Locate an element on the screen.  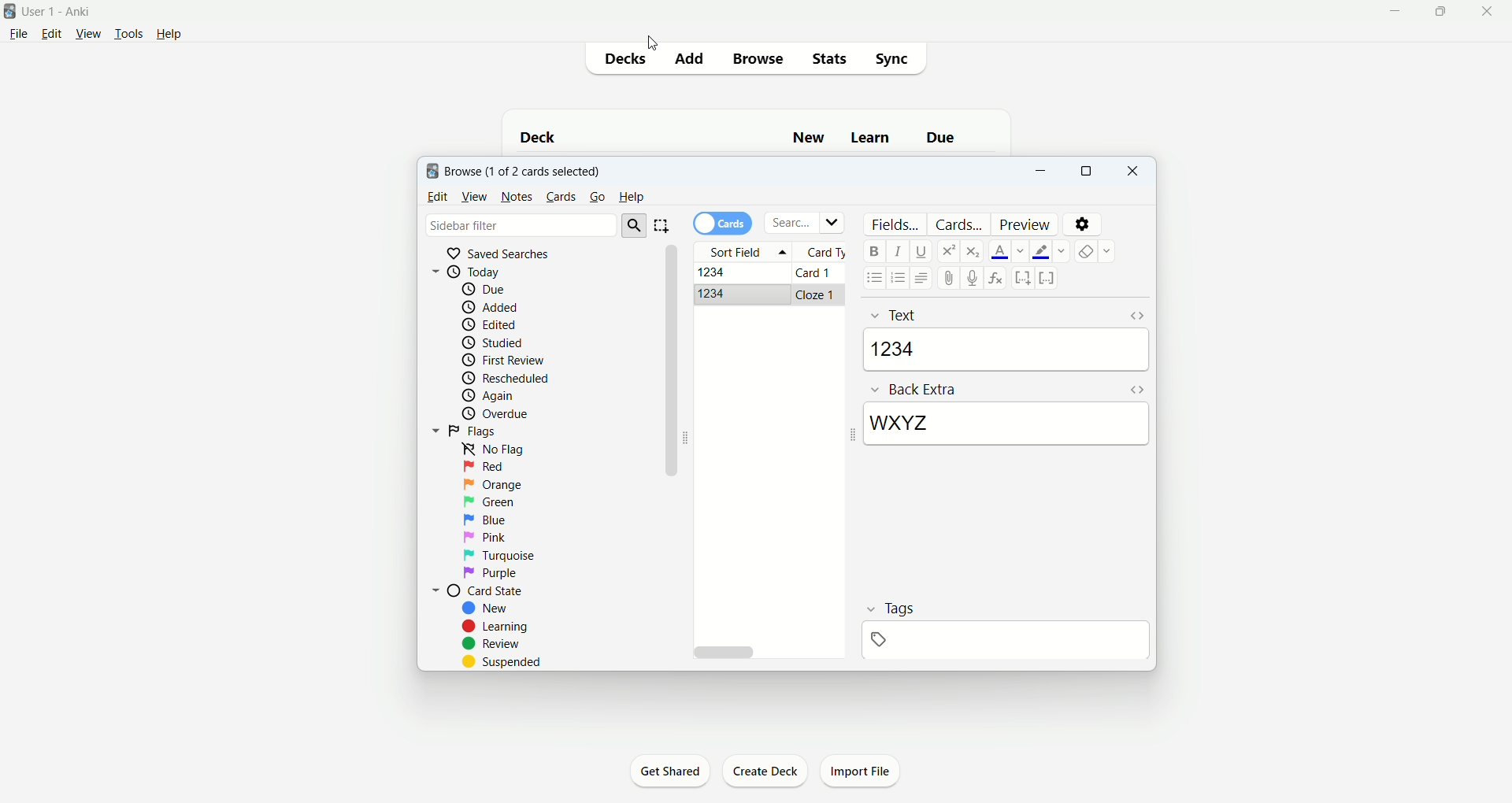
close is located at coordinates (1489, 10).